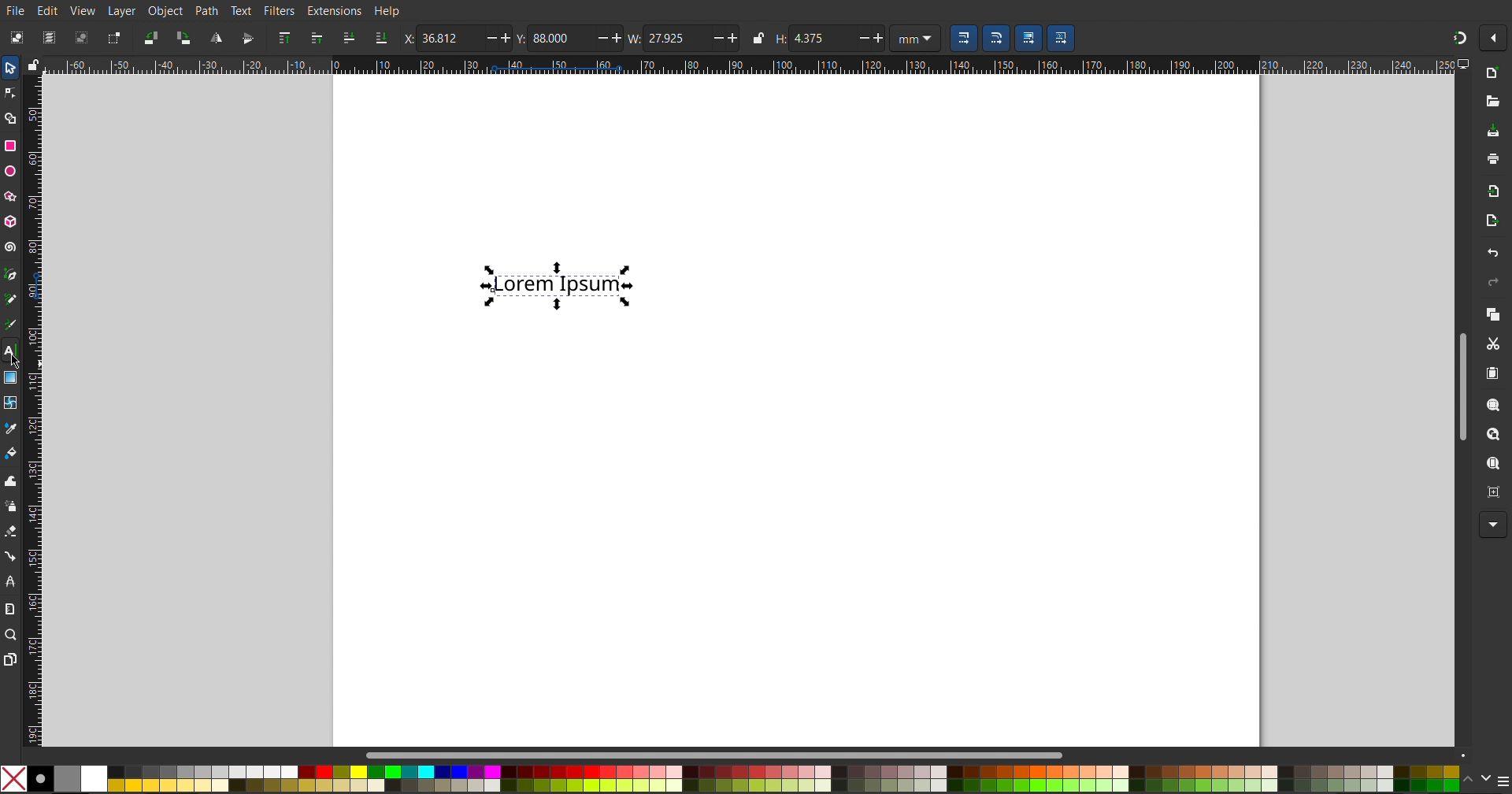 This screenshot has width=1512, height=794. What do you see at coordinates (1488, 404) in the screenshot?
I see `Zoom Selection` at bounding box center [1488, 404].